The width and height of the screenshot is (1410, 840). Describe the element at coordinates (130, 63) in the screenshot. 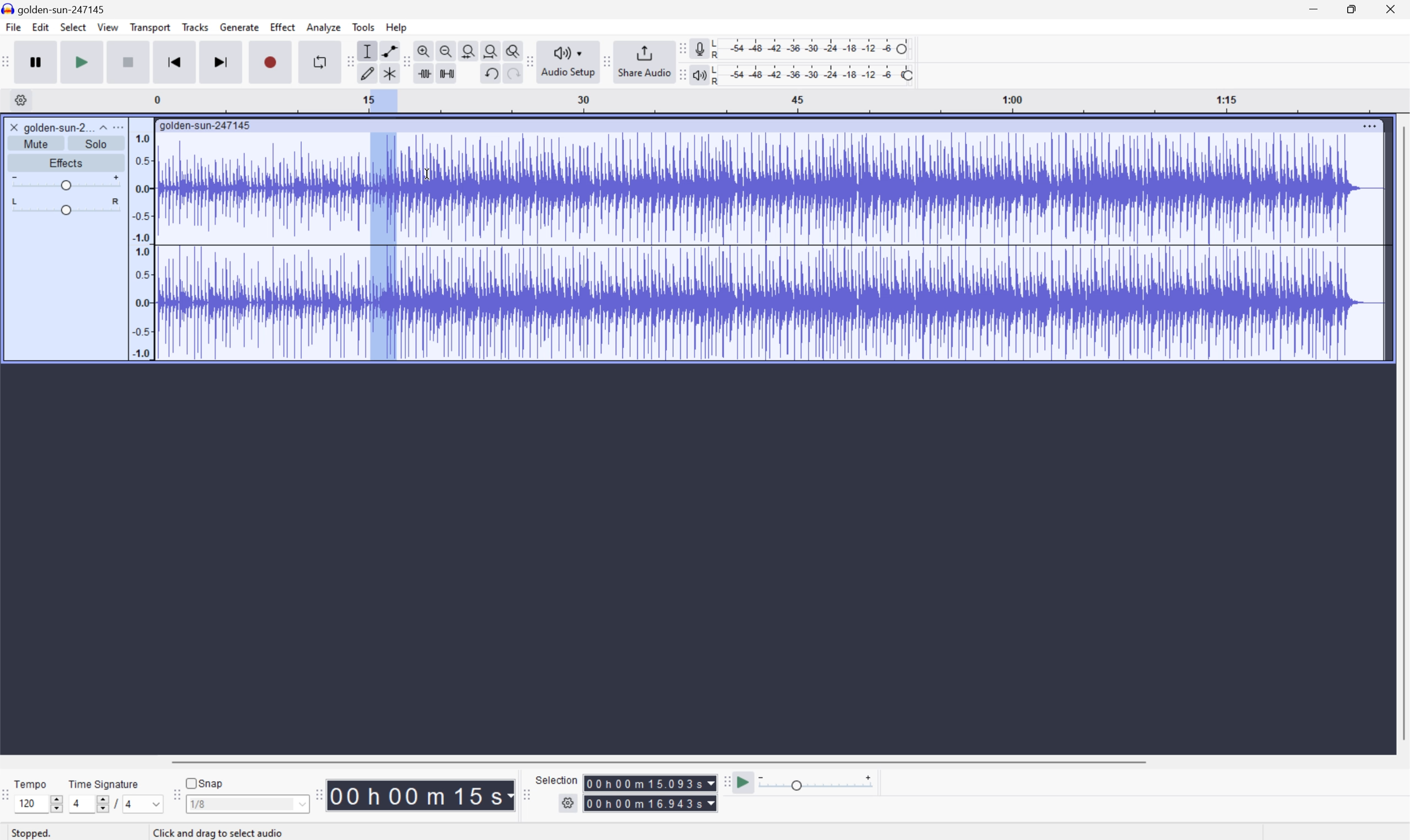

I see `Stop` at that location.